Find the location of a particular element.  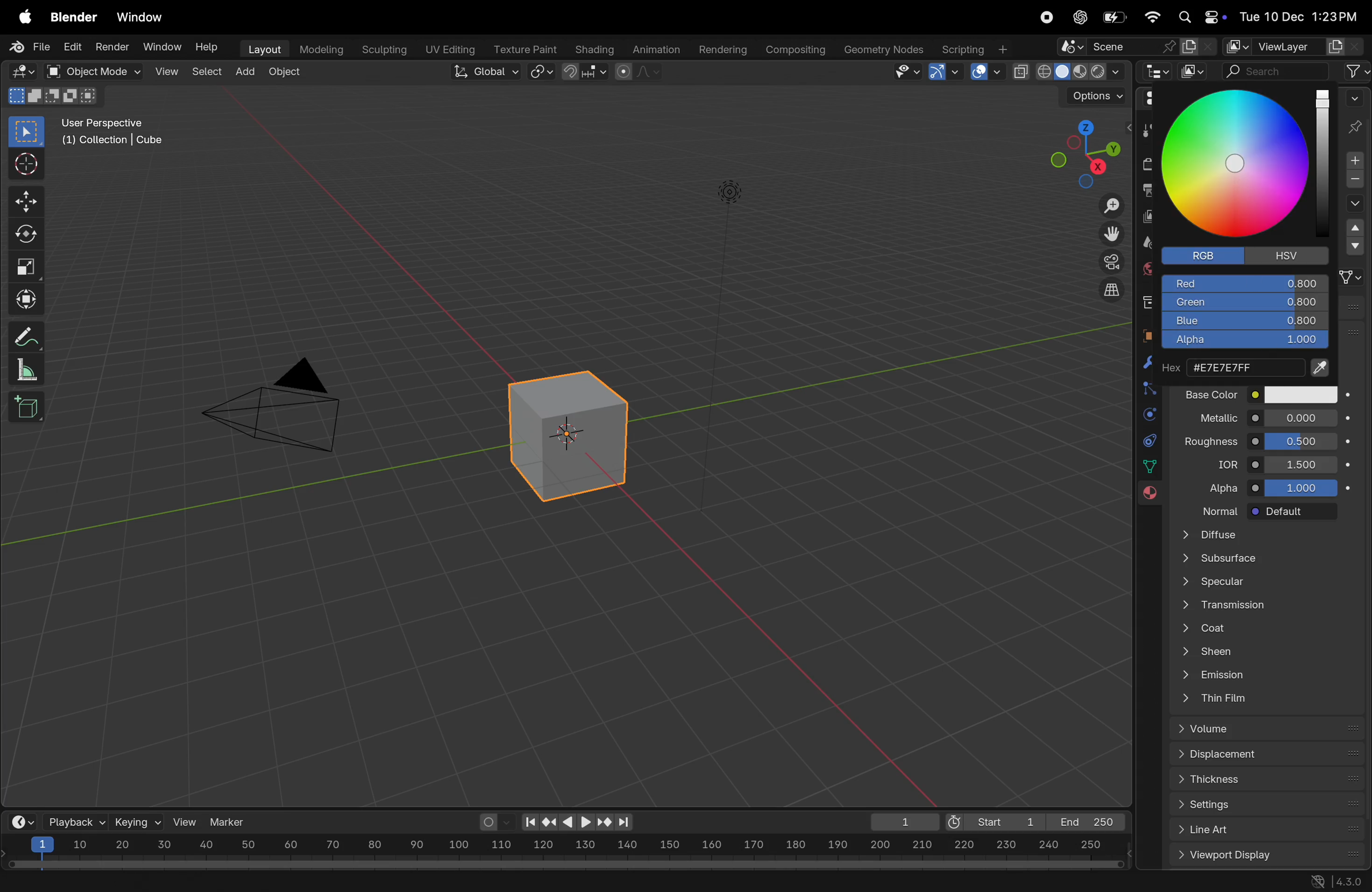

viewport shading is located at coordinates (1068, 69).